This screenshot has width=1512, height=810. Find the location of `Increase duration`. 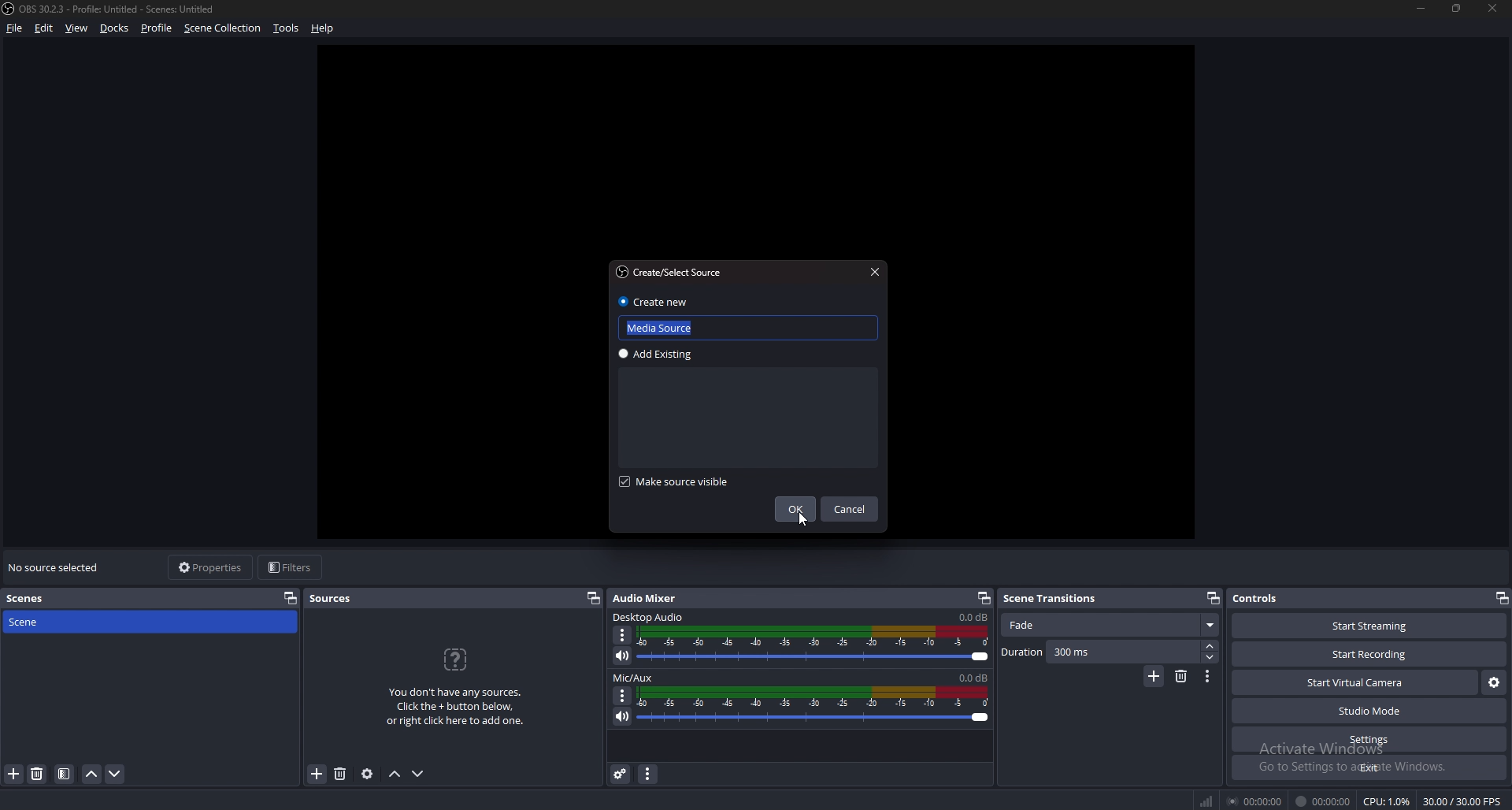

Increase duration is located at coordinates (1212, 646).